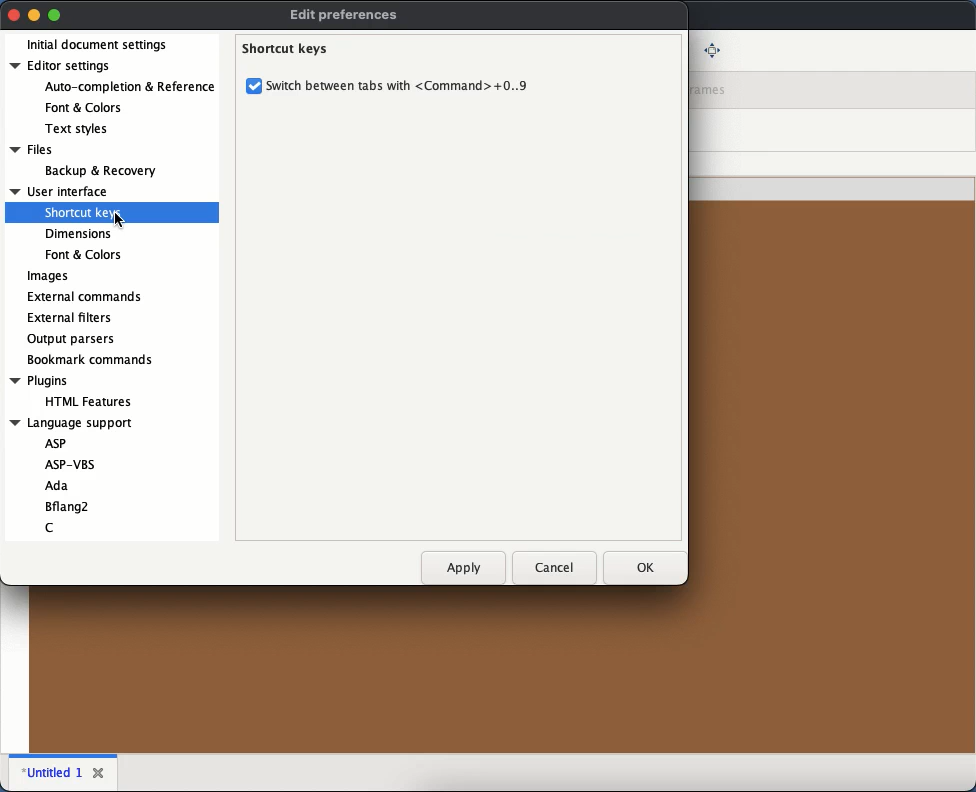  What do you see at coordinates (101, 403) in the screenshot?
I see `HIML Features` at bounding box center [101, 403].